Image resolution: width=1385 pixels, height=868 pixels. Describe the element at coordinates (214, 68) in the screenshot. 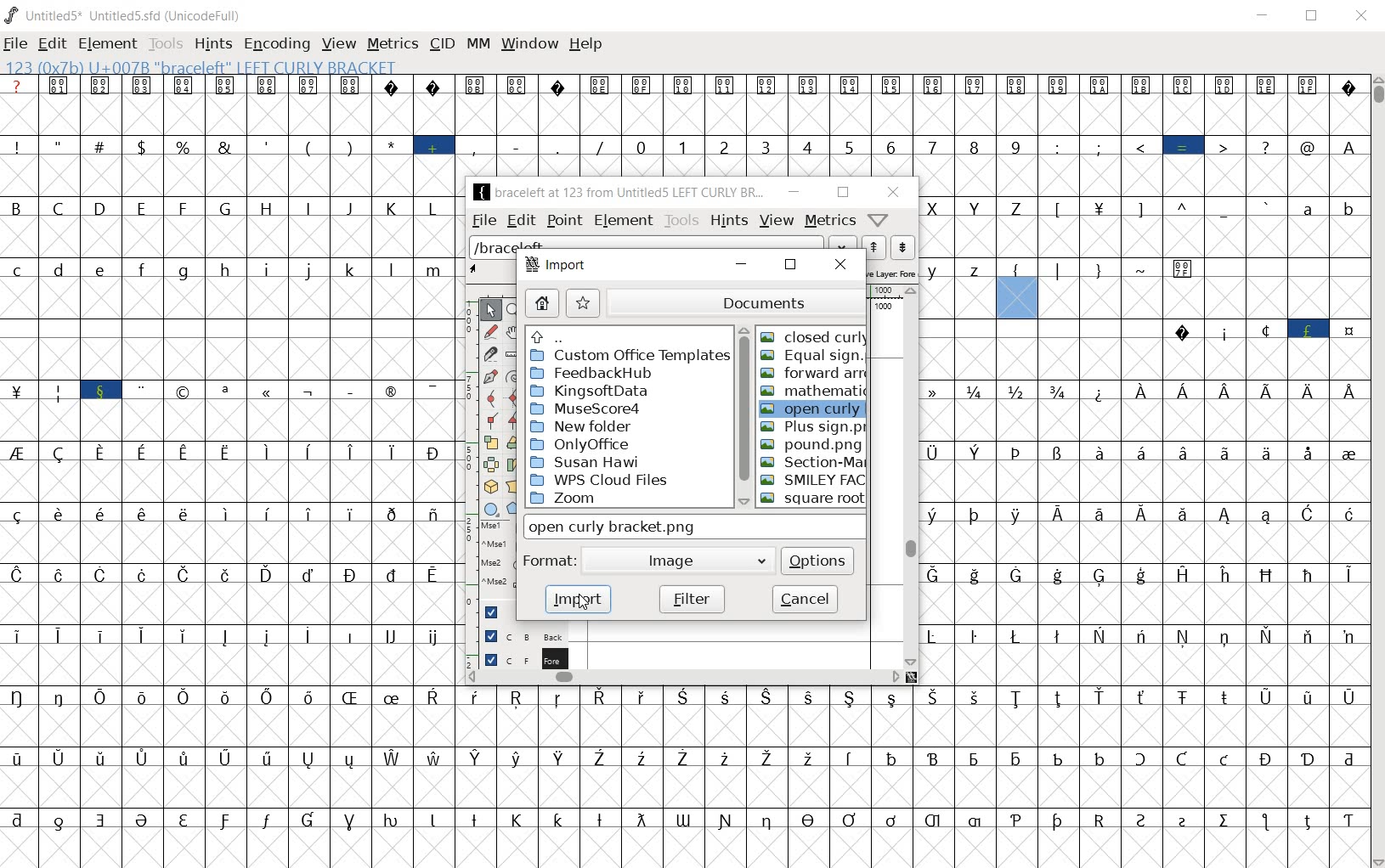

I see `123 (0x7b) U+007B "braceleft" LEFT CURLY BRACKET` at that location.